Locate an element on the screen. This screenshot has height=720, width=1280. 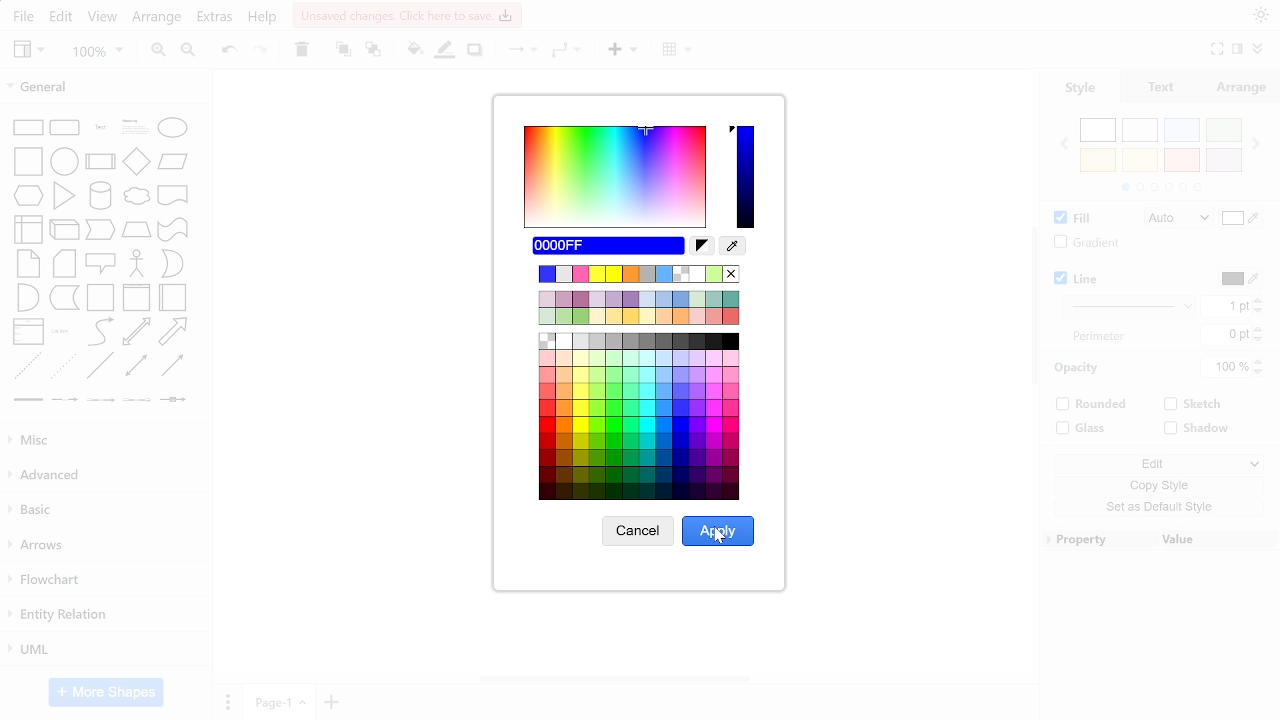
color spectrum is located at coordinates (614, 178).